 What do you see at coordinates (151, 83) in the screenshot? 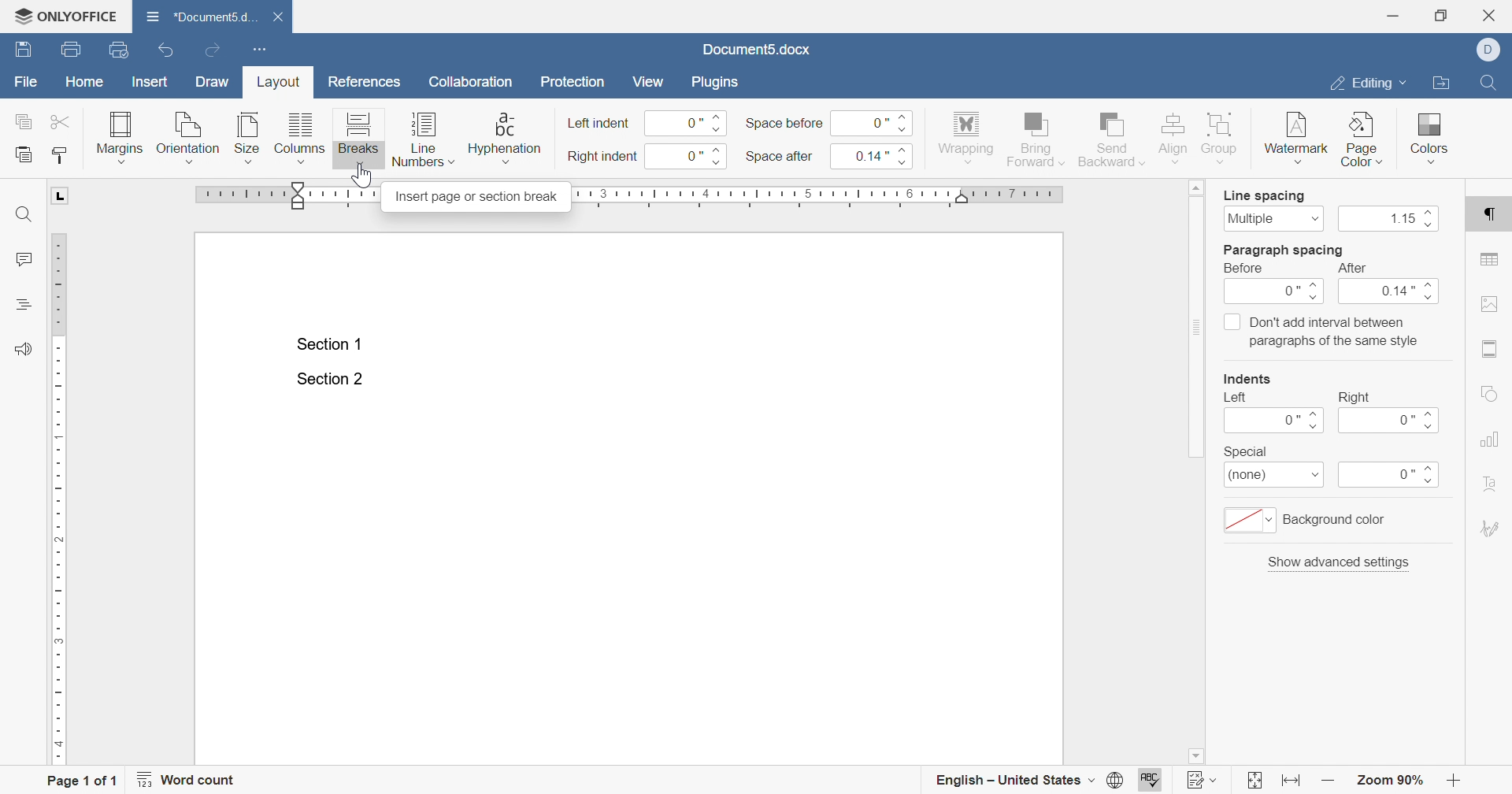
I see `insert` at bounding box center [151, 83].